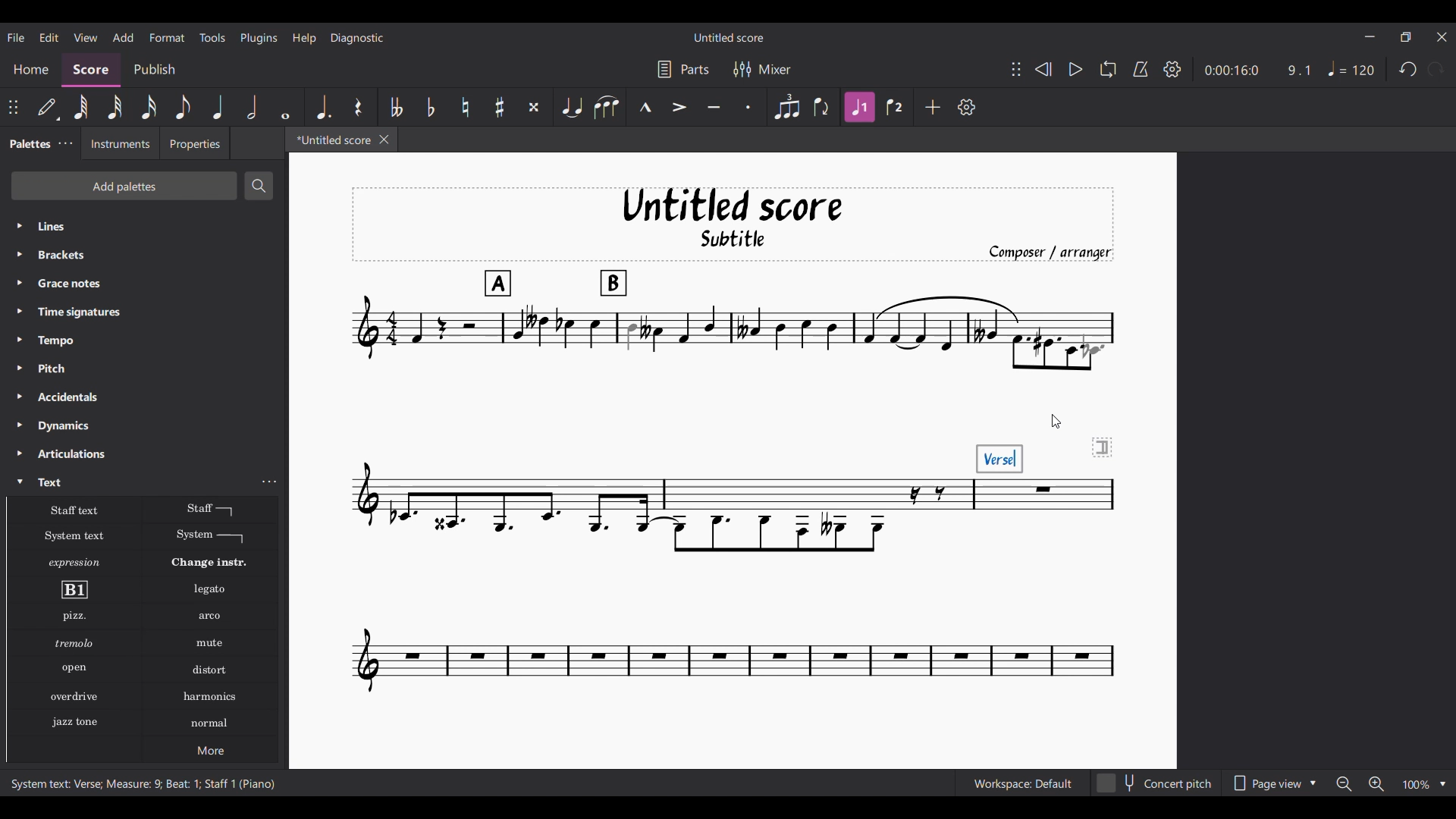 The width and height of the screenshot is (1456, 819). Describe the element at coordinates (74, 723) in the screenshot. I see `Jazz stone` at that location.